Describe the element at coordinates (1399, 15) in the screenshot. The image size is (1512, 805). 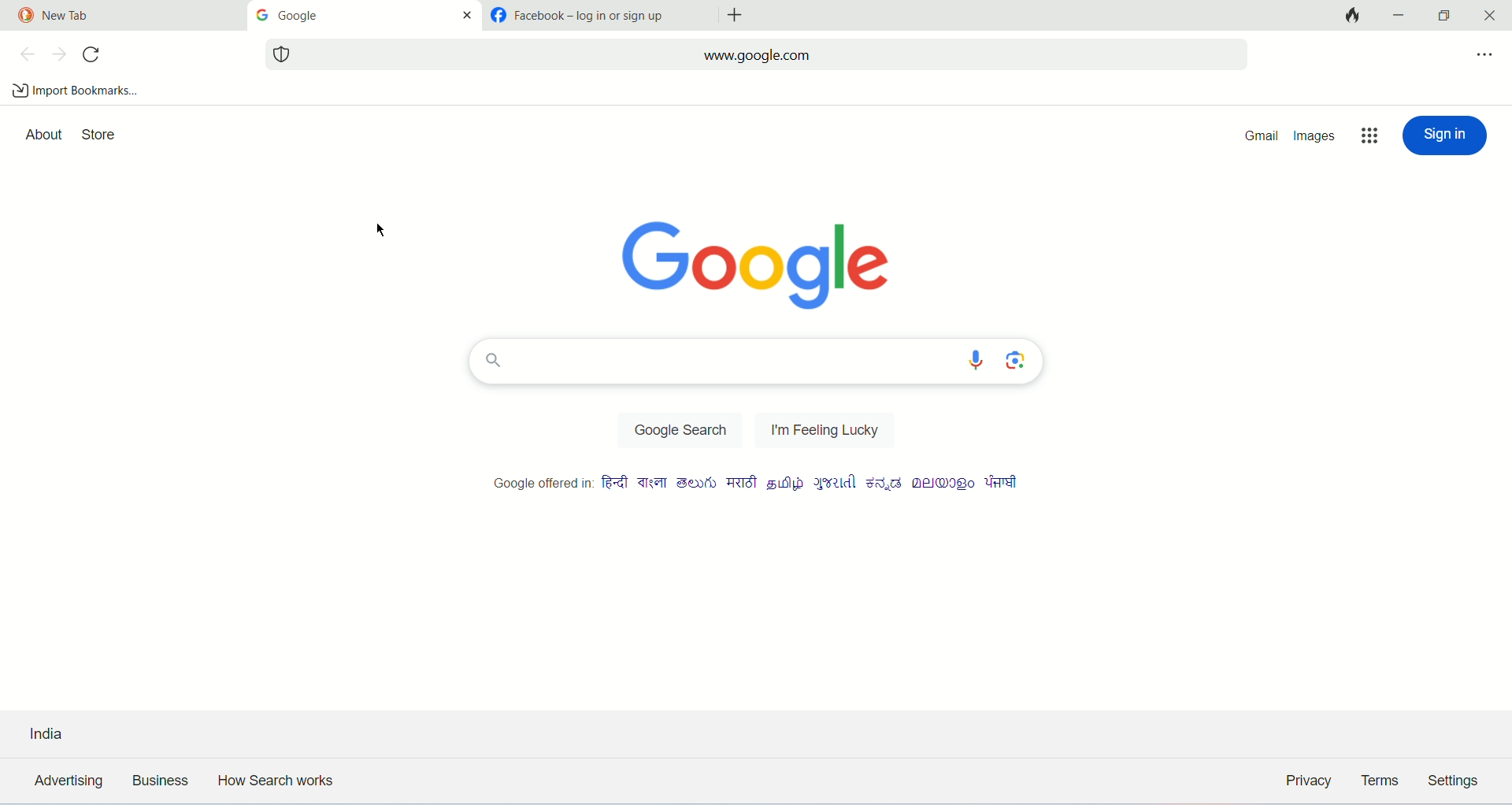
I see `minimize` at that location.